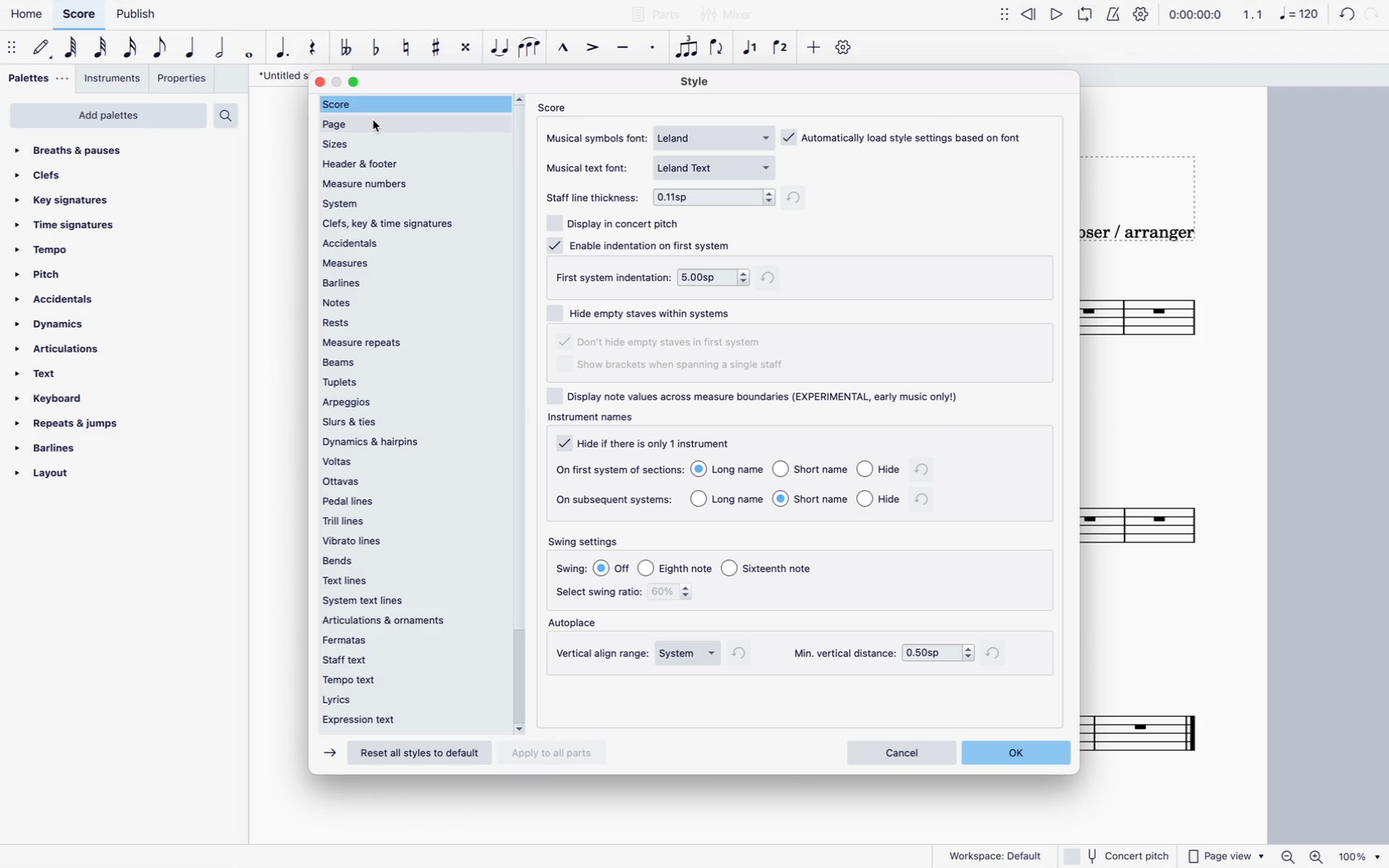  Describe the element at coordinates (713, 277) in the screenshot. I see `size` at that location.